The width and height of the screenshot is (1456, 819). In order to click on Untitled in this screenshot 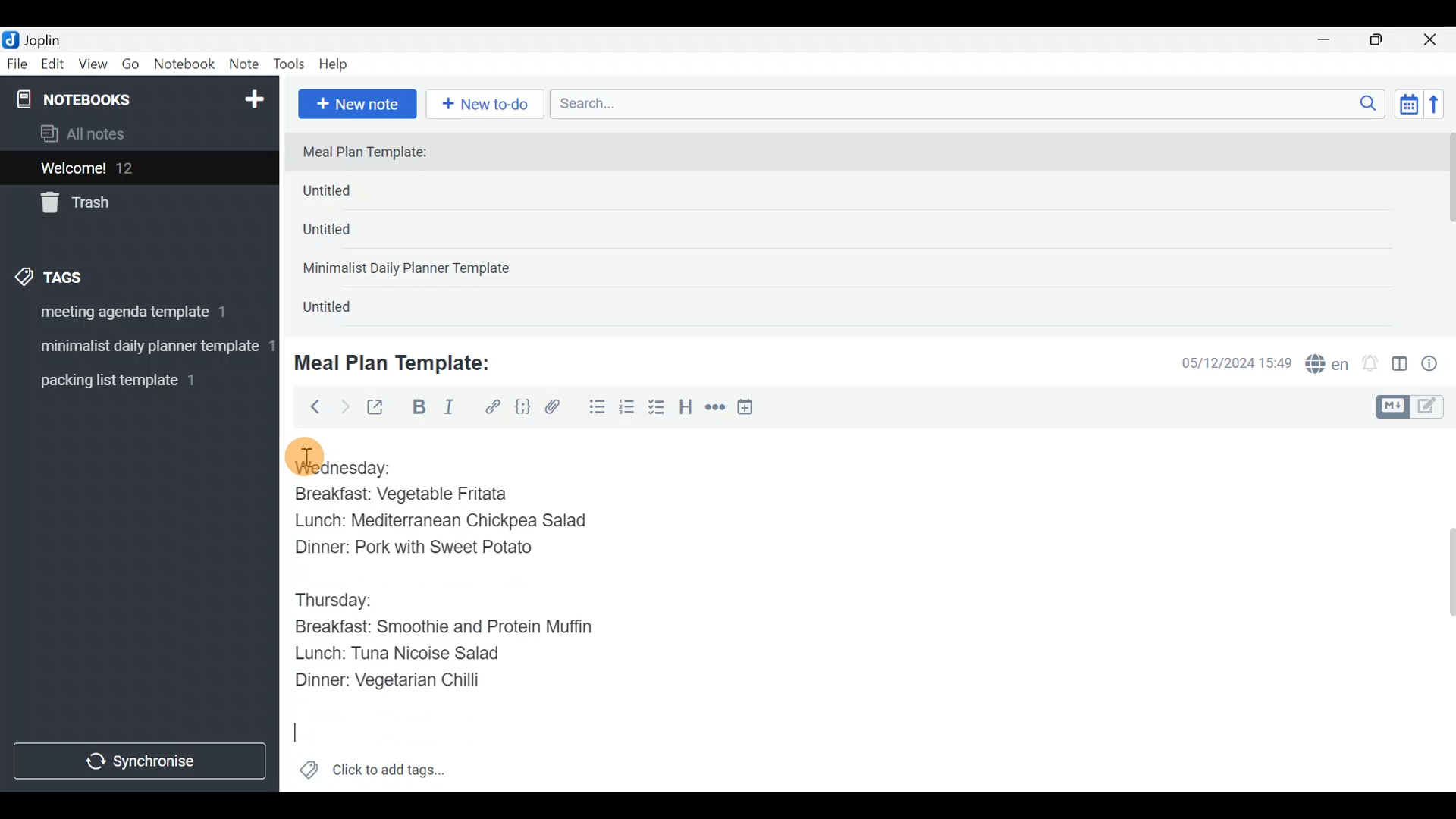, I will do `click(352, 194)`.